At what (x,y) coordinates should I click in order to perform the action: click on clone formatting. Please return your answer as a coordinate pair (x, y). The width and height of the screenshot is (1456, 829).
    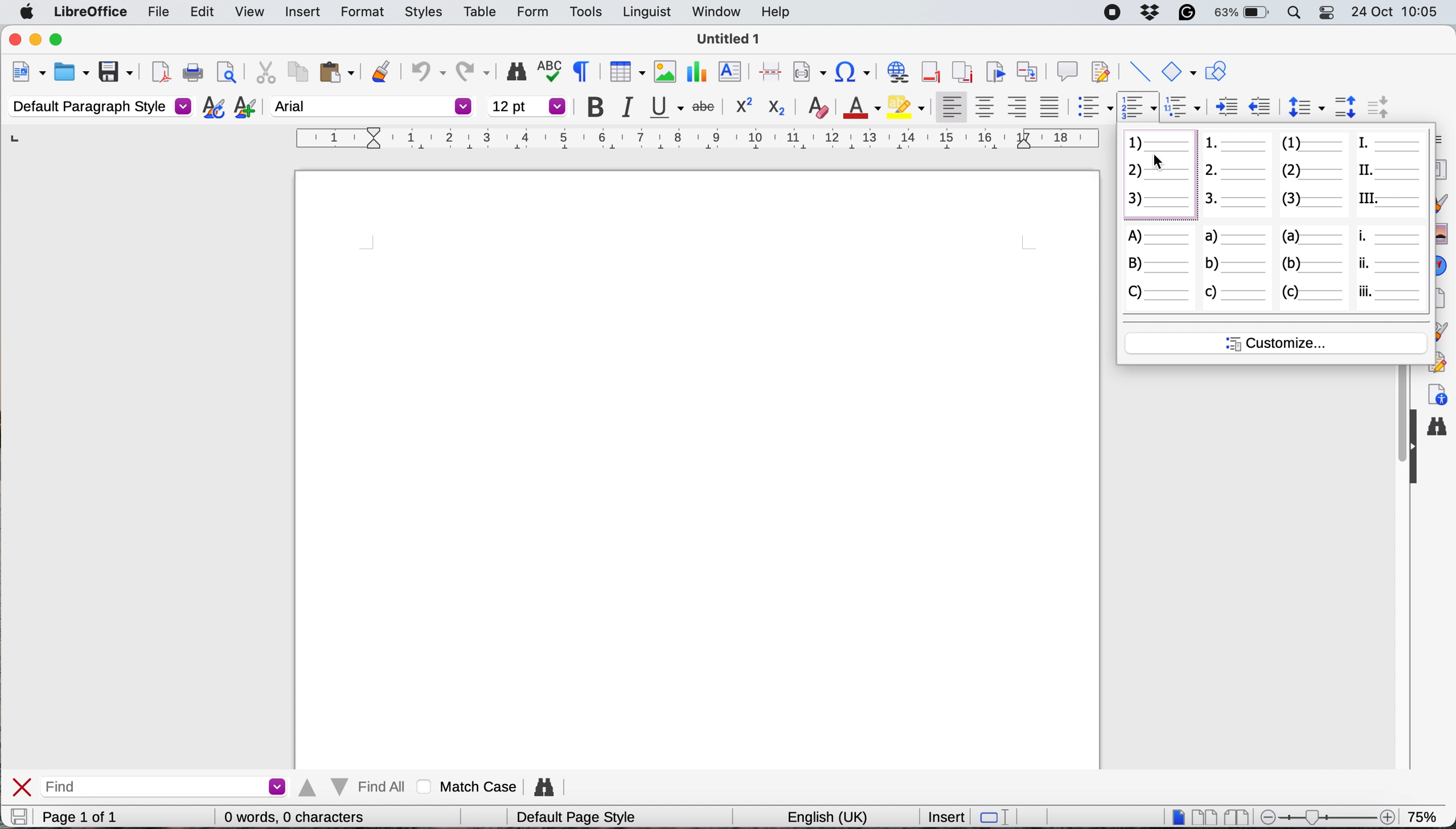
    Looking at the image, I should click on (381, 70).